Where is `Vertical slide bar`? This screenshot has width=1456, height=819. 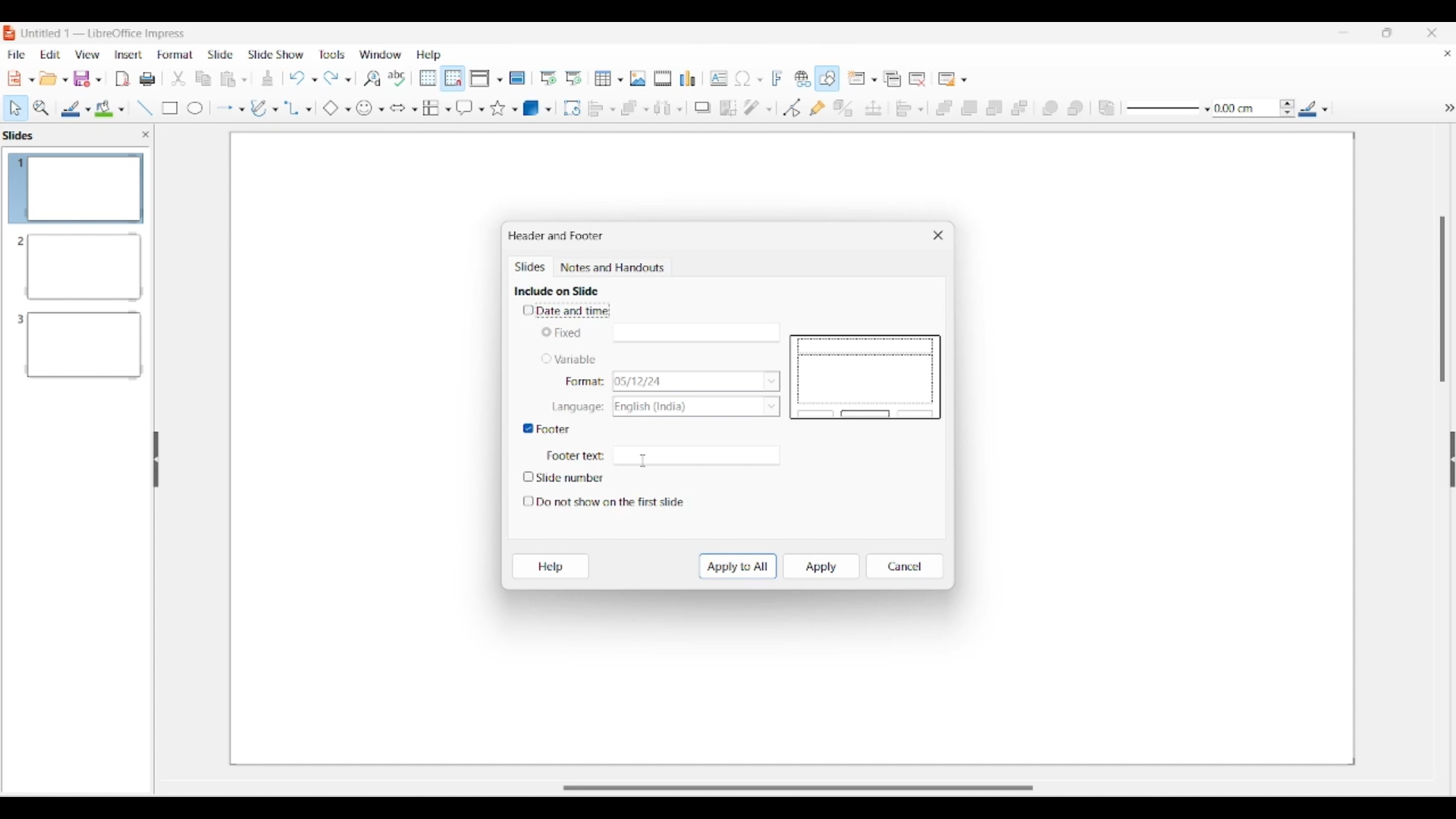
Vertical slide bar is located at coordinates (1442, 300).